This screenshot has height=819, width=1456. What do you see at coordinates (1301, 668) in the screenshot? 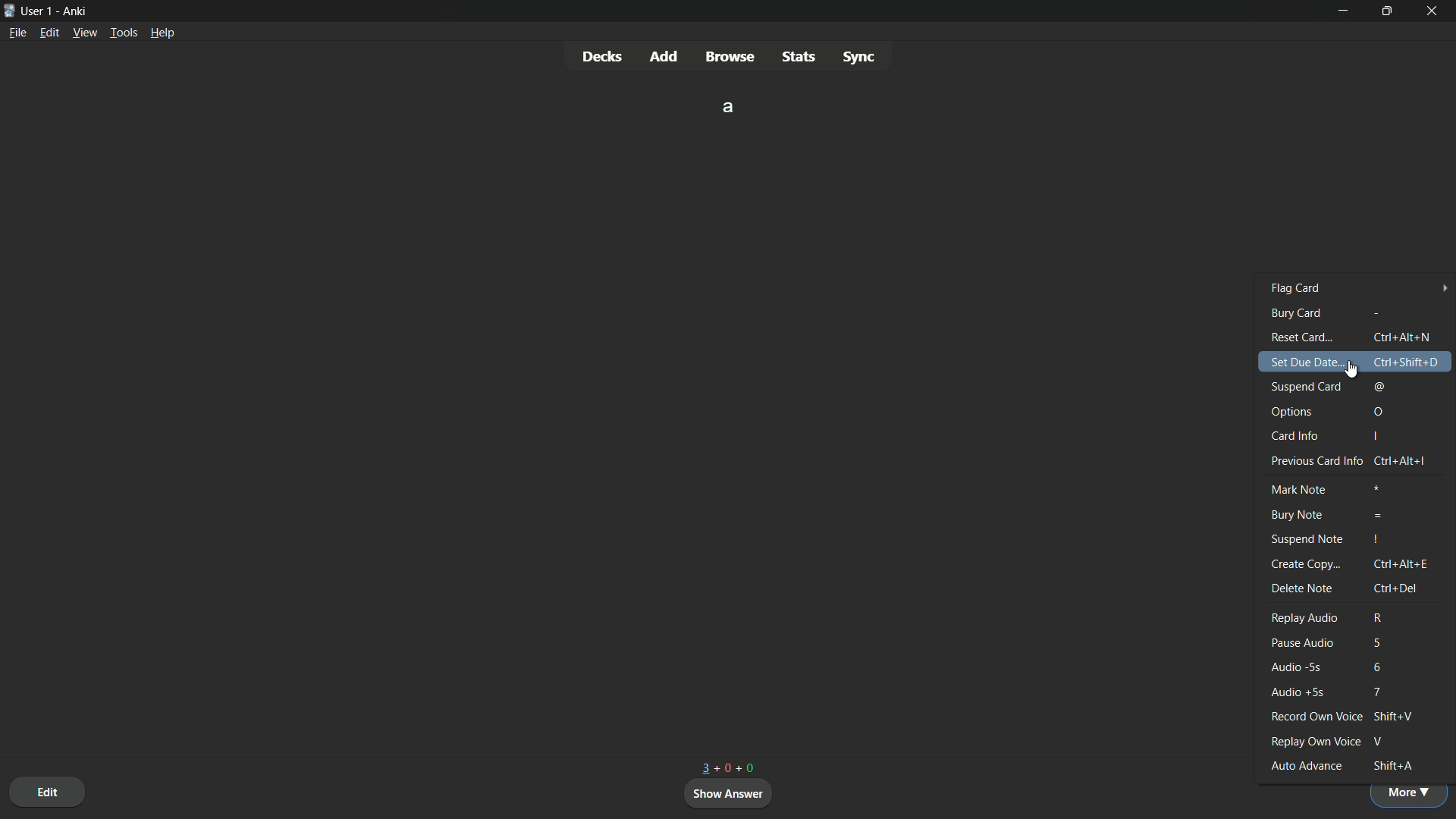
I see `audio -5s` at bounding box center [1301, 668].